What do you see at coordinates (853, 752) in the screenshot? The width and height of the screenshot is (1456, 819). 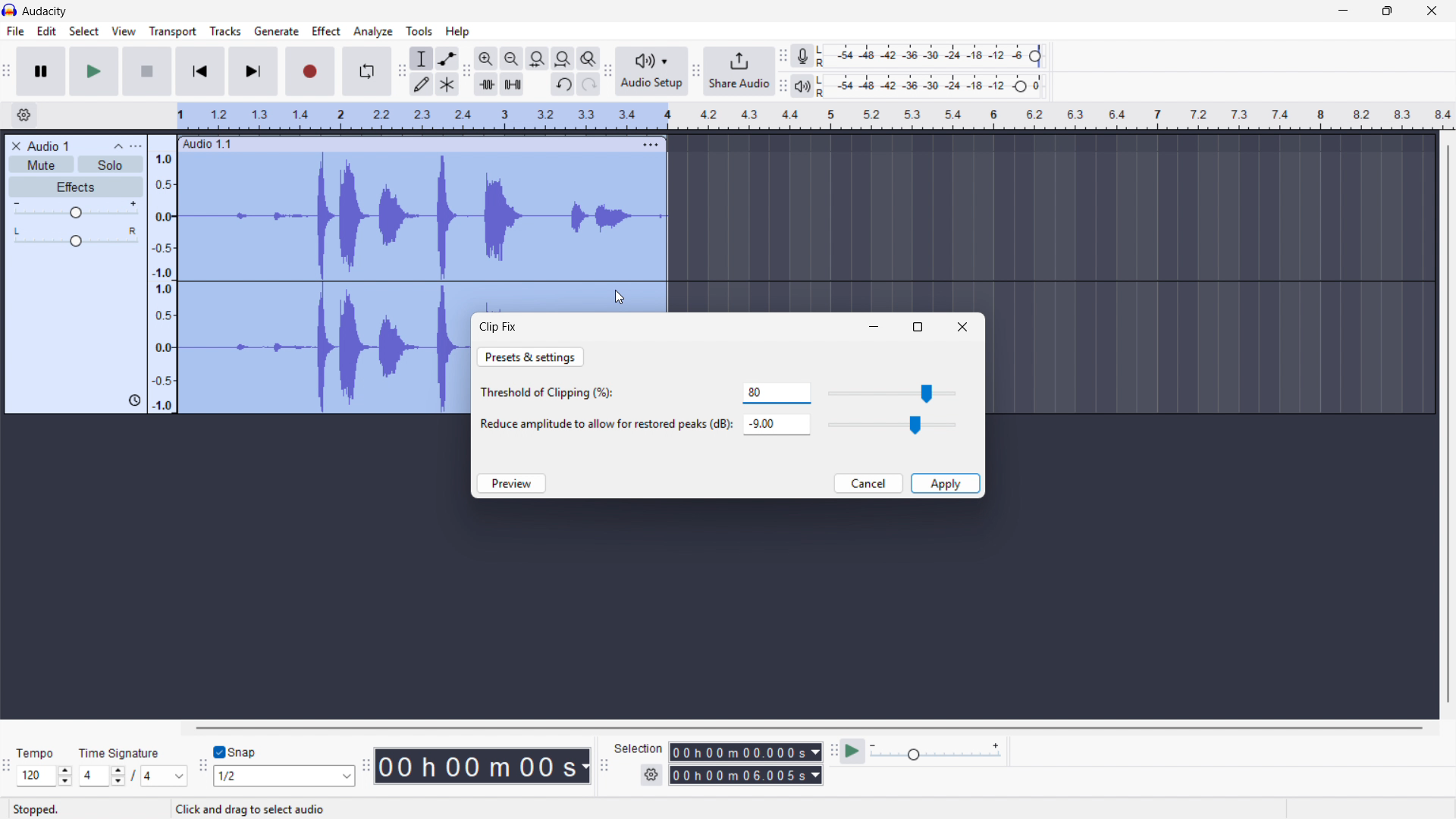 I see `Play at speed` at bounding box center [853, 752].